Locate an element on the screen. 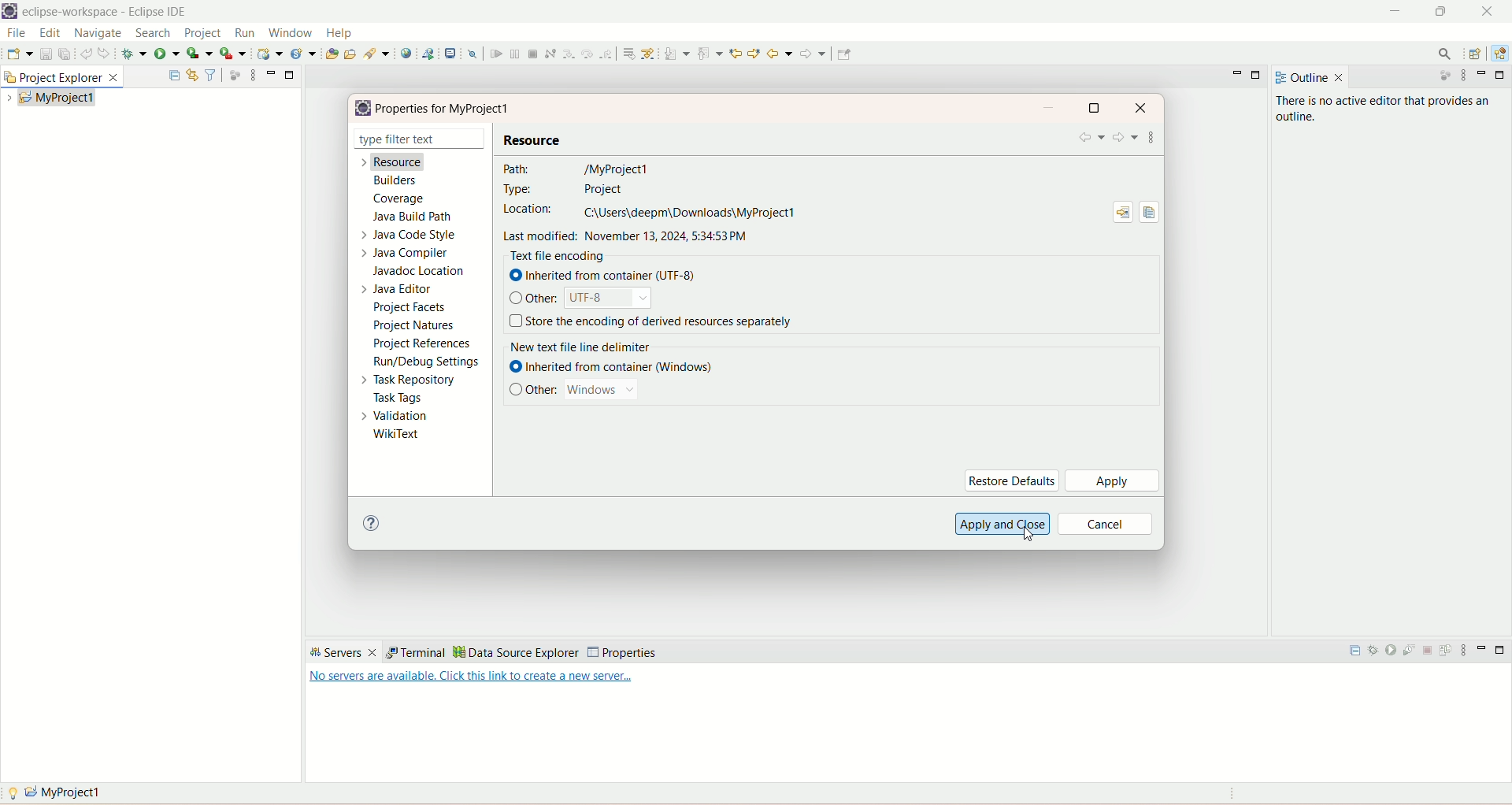 The height and width of the screenshot is (805, 1512). myproject is located at coordinates (56, 793).